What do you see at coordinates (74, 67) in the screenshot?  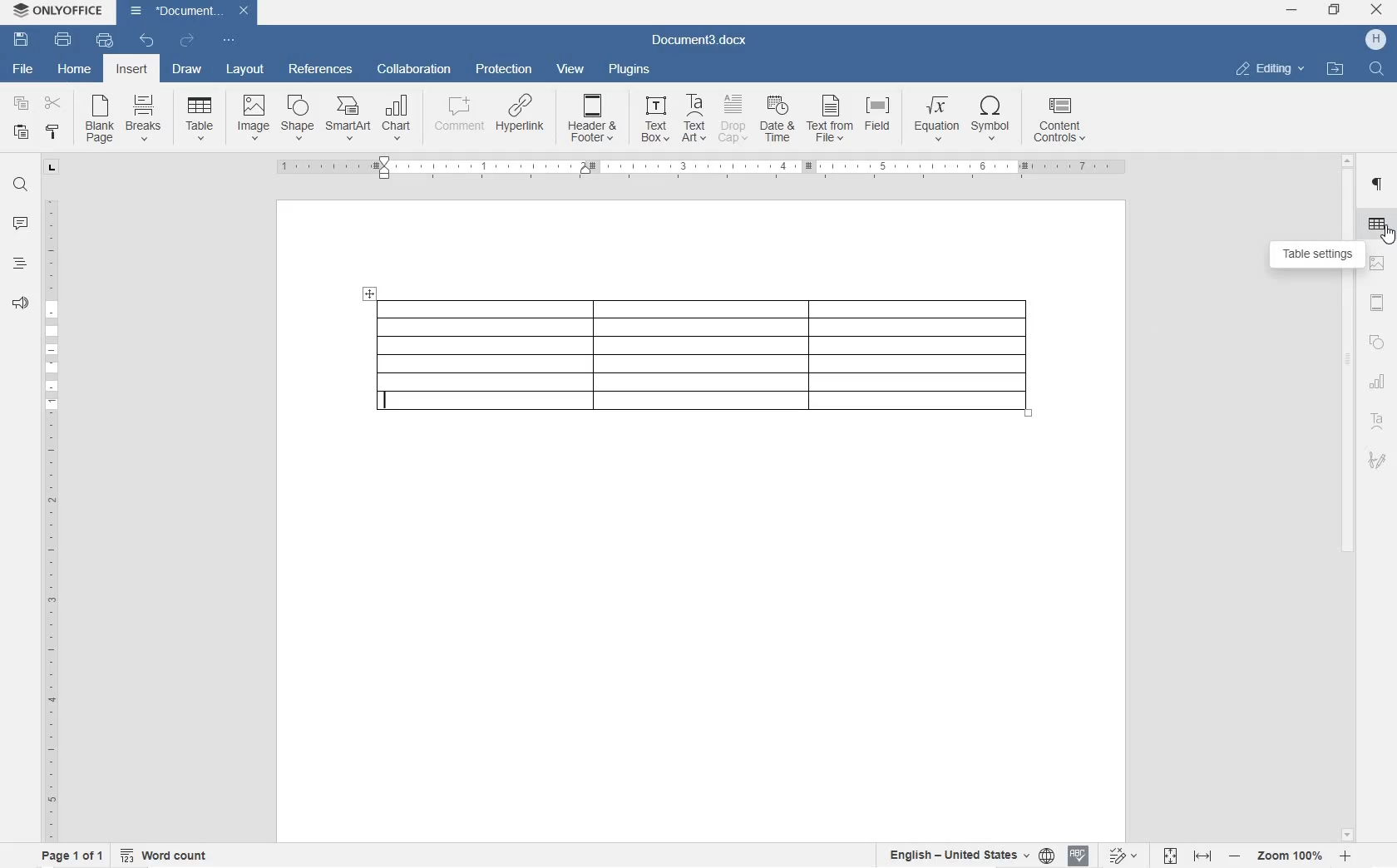 I see `HOME` at bounding box center [74, 67].